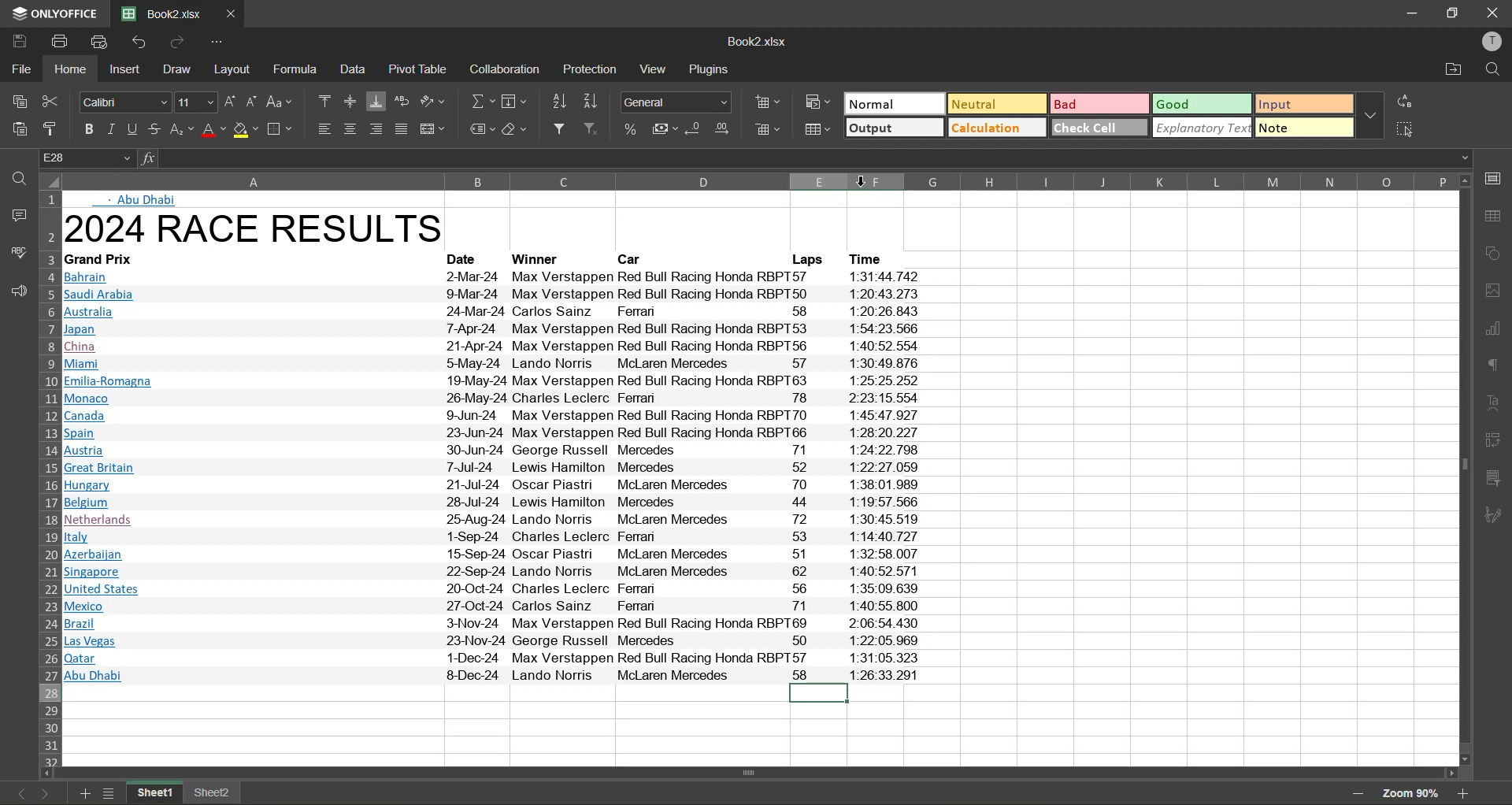 The height and width of the screenshot is (805, 1512). I want to click on feedback, so click(14, 290).